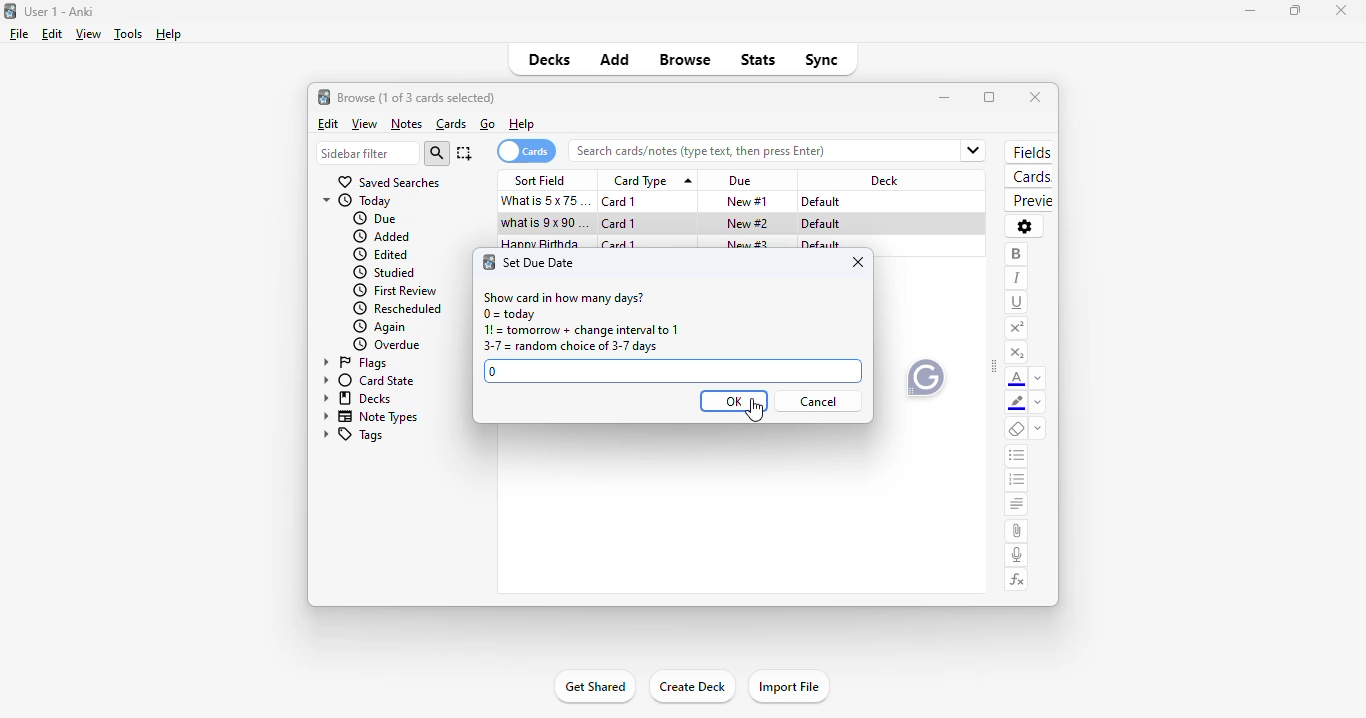  Describe the element at coordinates (1038, 404) in the screenshot. I see `remove color` at that location.